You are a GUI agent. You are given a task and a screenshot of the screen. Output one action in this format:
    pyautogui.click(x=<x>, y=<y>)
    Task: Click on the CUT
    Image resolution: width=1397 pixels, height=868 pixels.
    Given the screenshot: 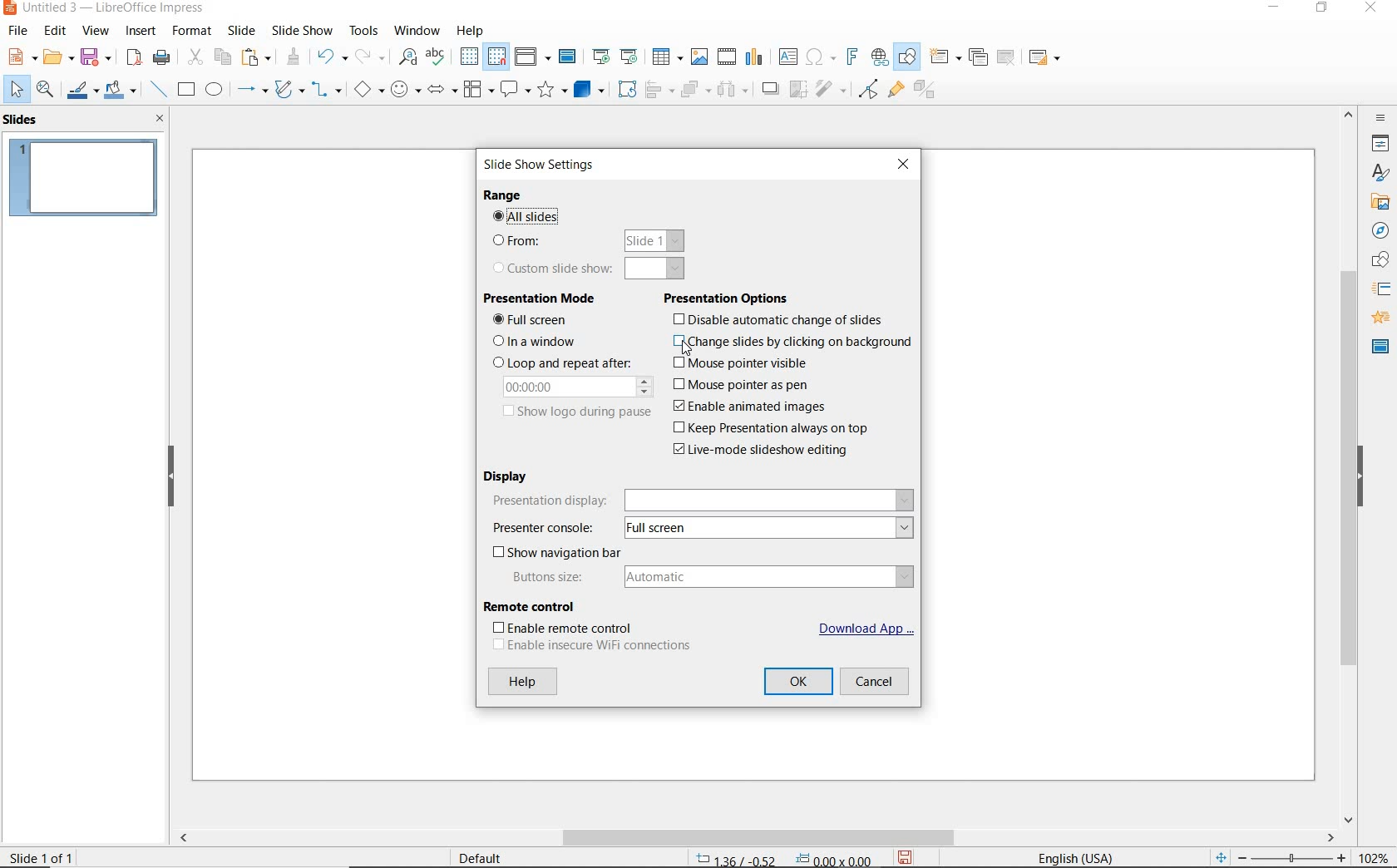 What is the action you would take?
    pyautogui.click(x=196, y=56)
    